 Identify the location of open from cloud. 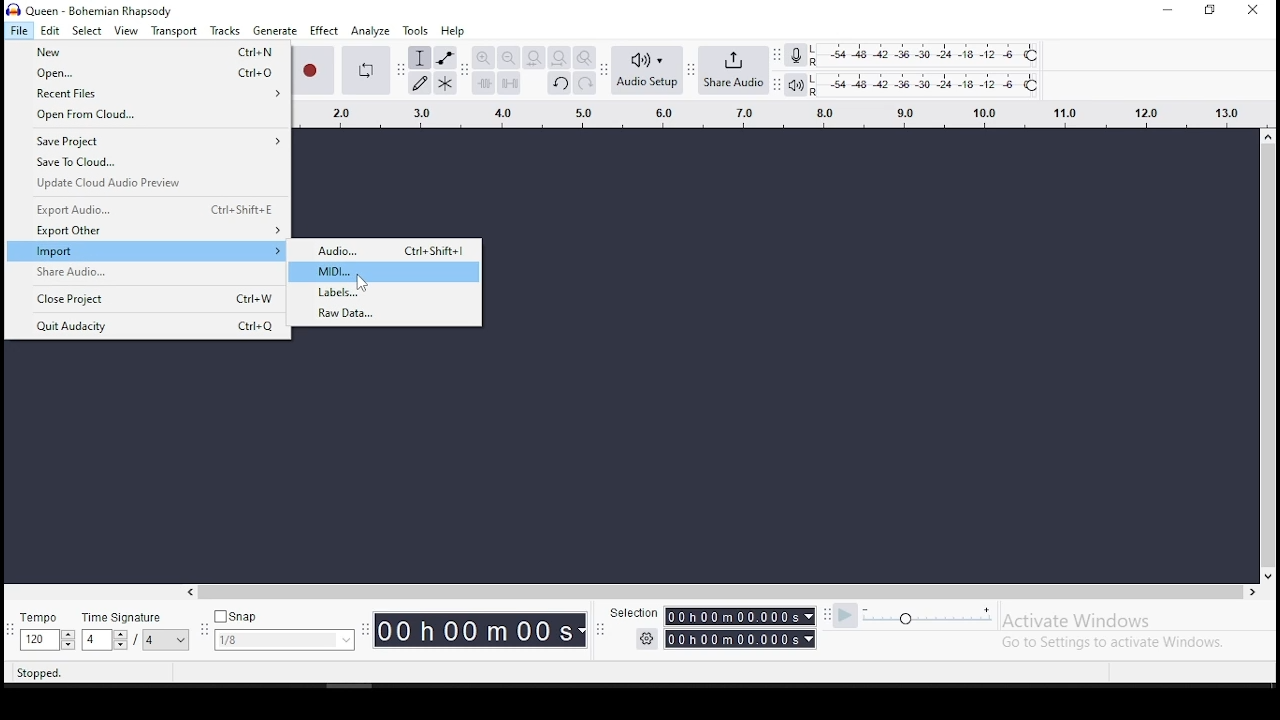
(141, 117).